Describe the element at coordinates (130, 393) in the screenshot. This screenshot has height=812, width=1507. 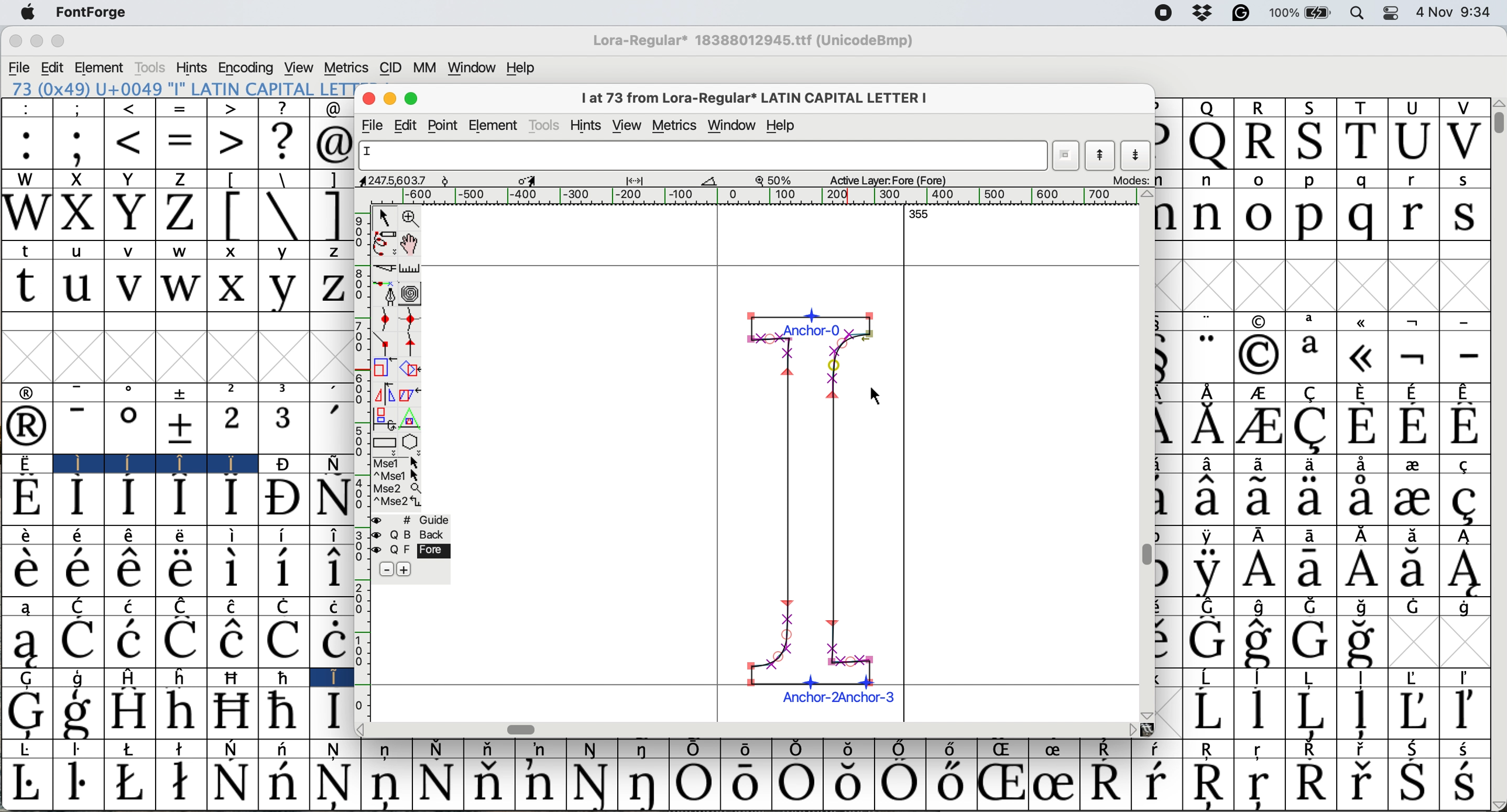
I see `o` at that location.